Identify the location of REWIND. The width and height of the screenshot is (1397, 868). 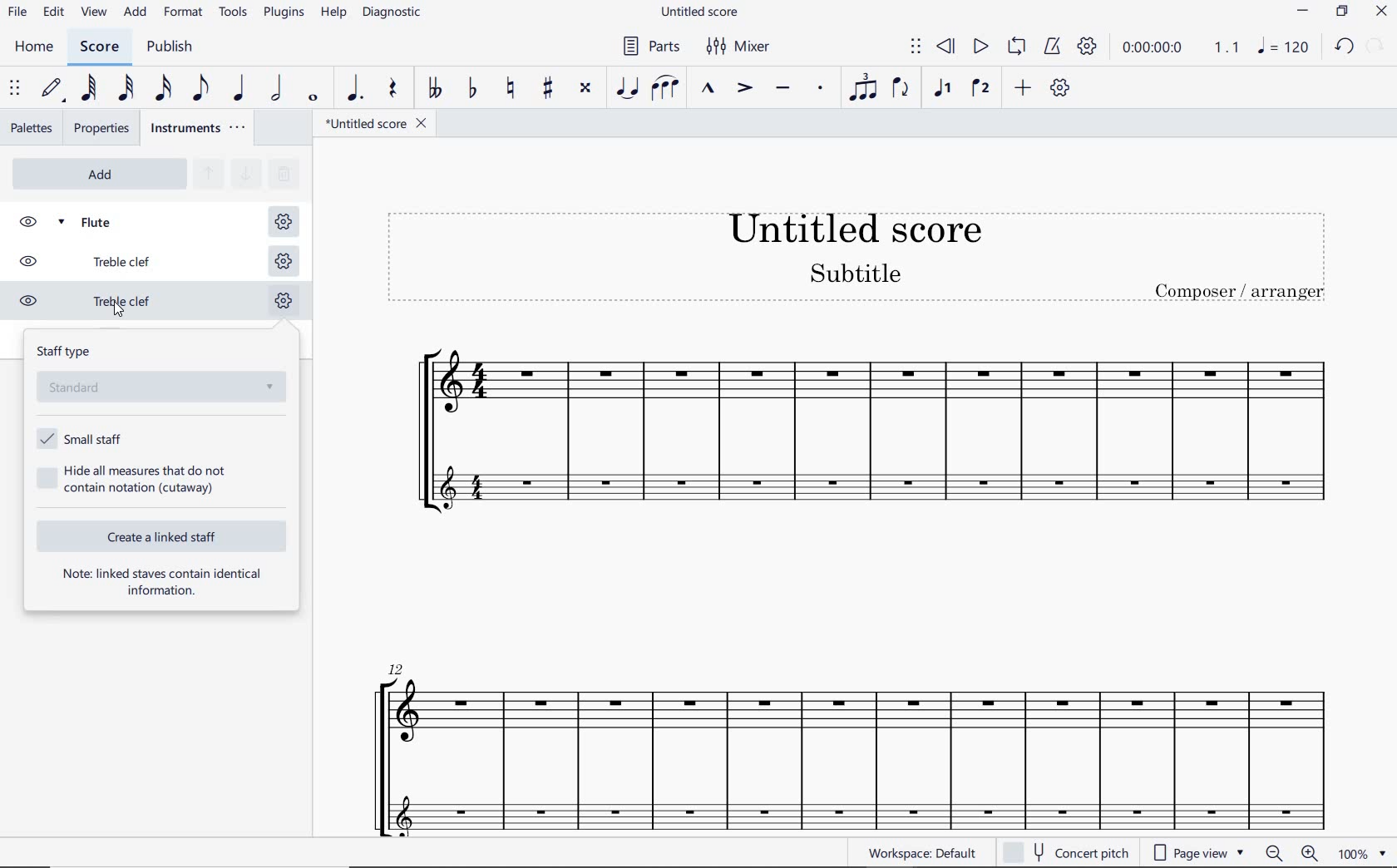
(946, 47).